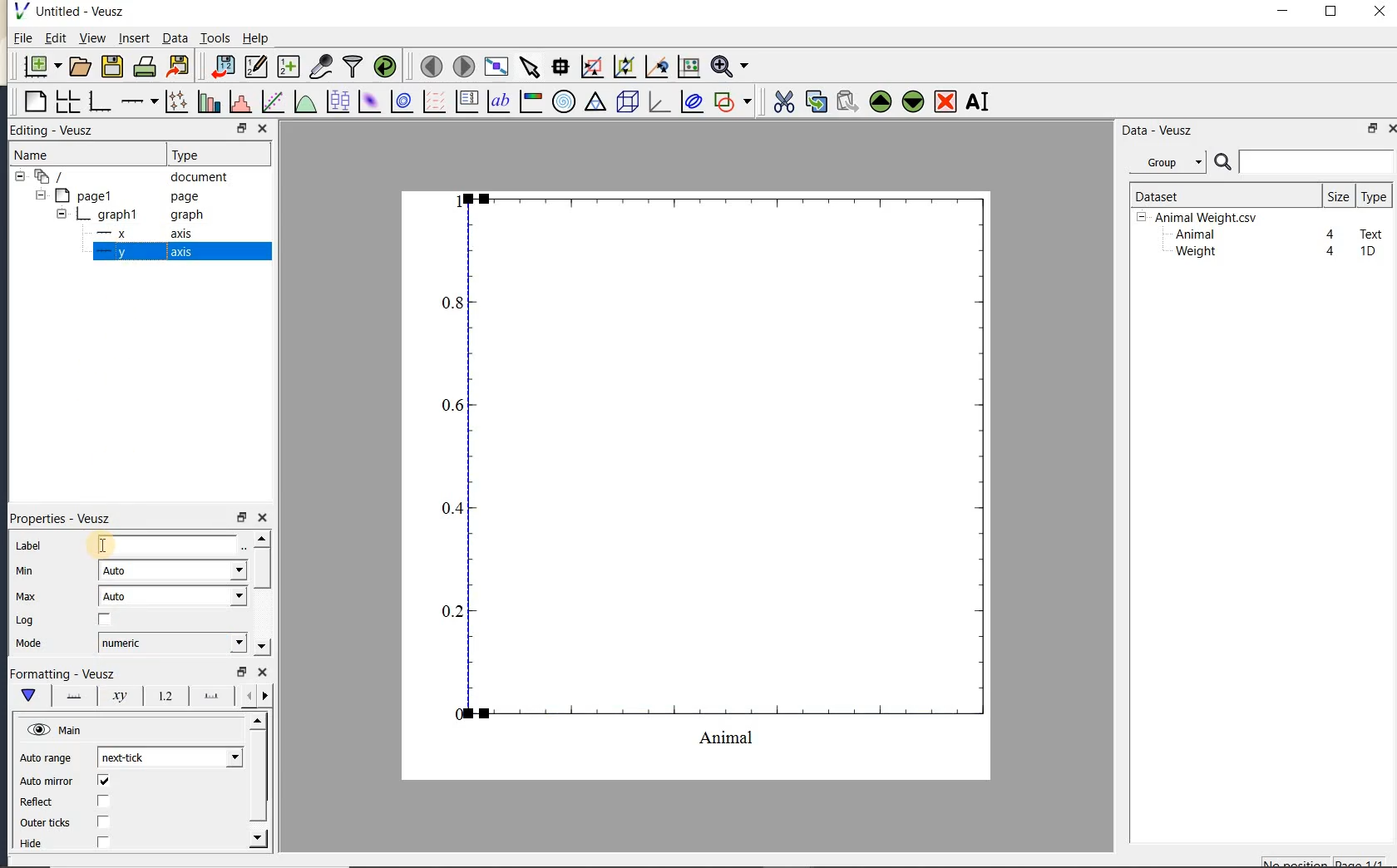  What do you see at coordinates (881, 102) in the screenshot?
I see `move the selected widget up` at bounding box center [881, 102].